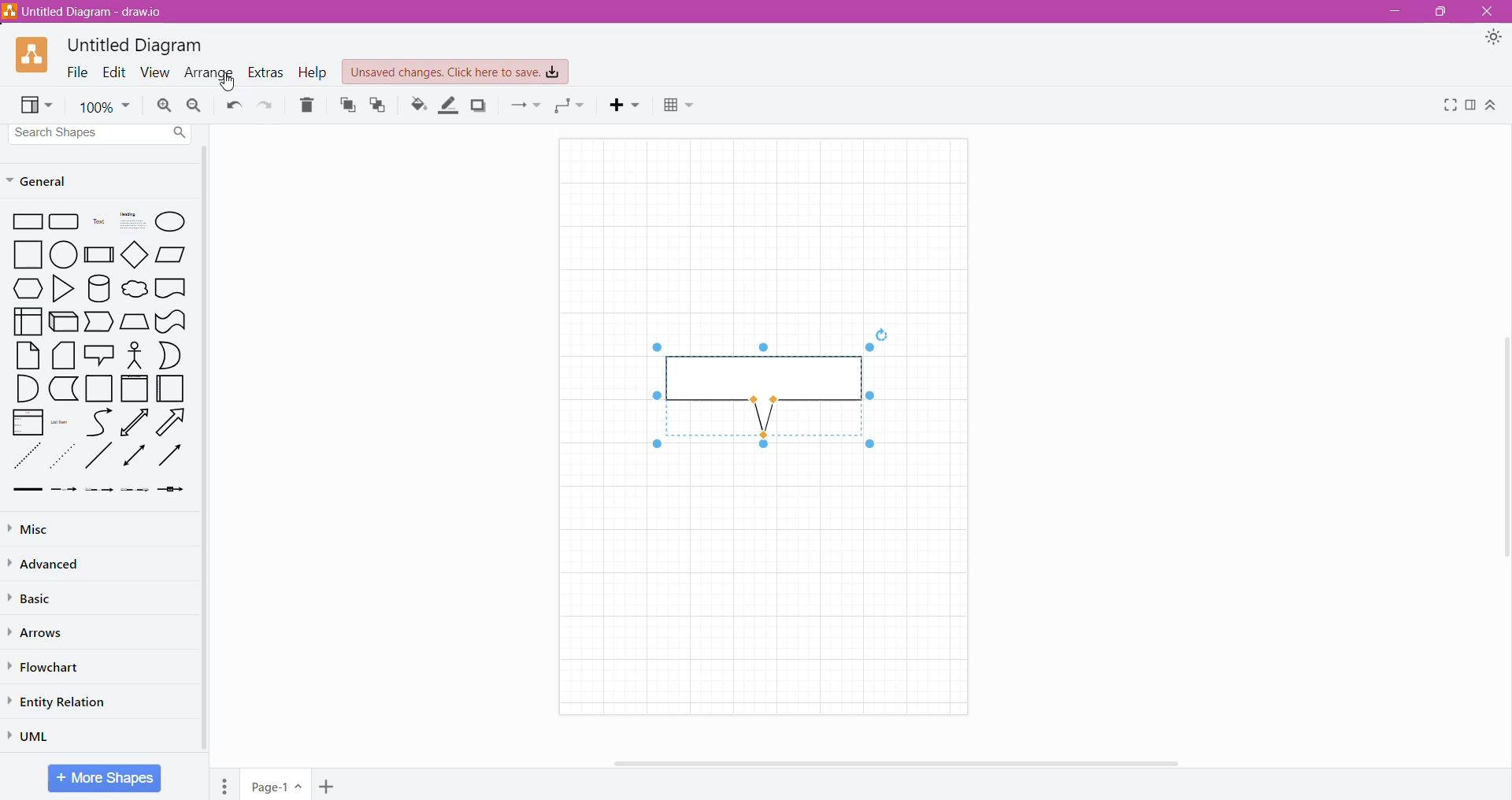  What do you see at coordinates (33, 56) in the screenshot?
I see `Application Logo` at bounding box center [33, 56].